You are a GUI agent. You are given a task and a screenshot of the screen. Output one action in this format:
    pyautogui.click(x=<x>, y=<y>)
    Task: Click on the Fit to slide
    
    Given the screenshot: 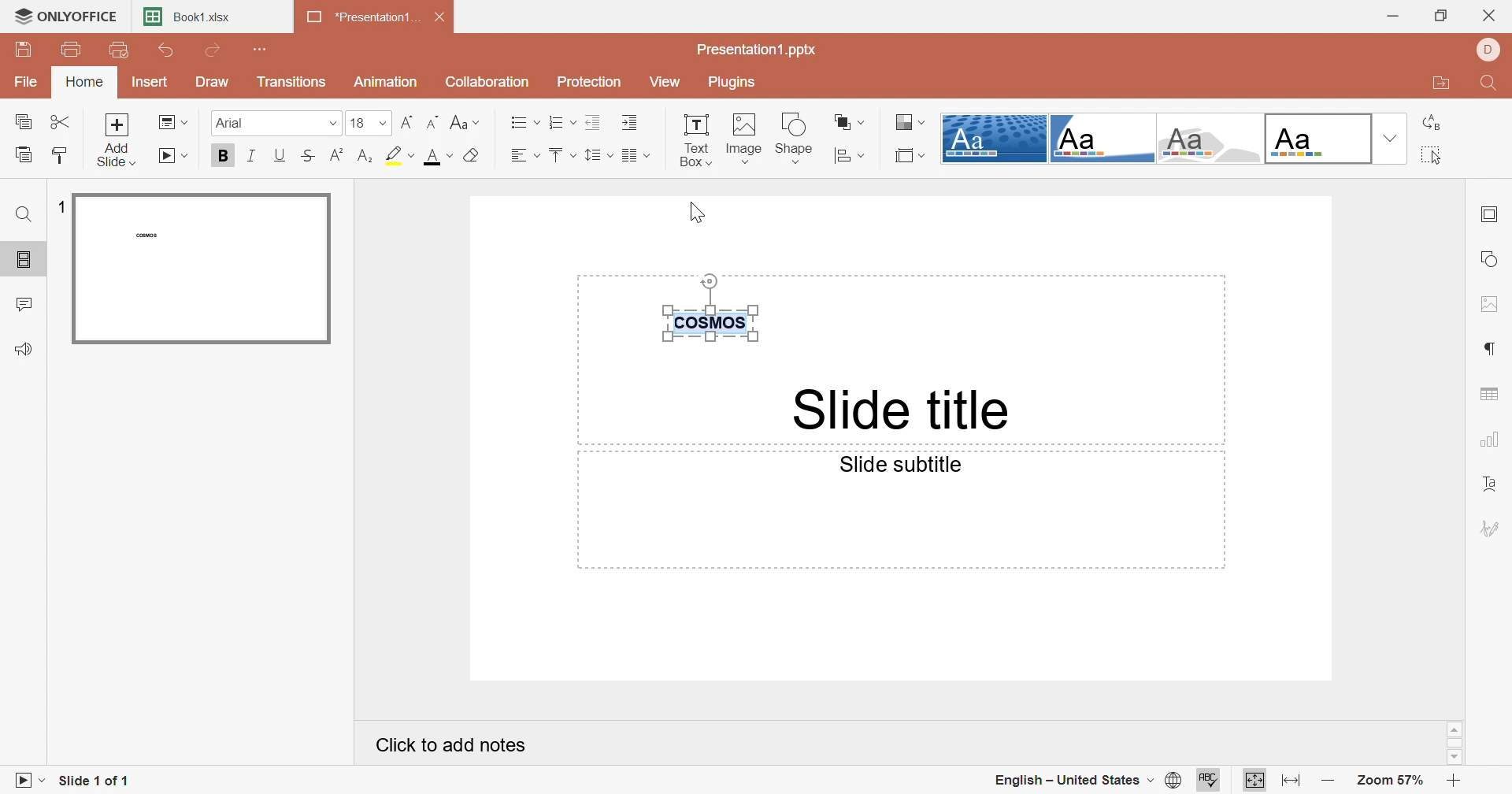 What is the action you would take?
    pyautogui.click(x=1253, y=778)
    